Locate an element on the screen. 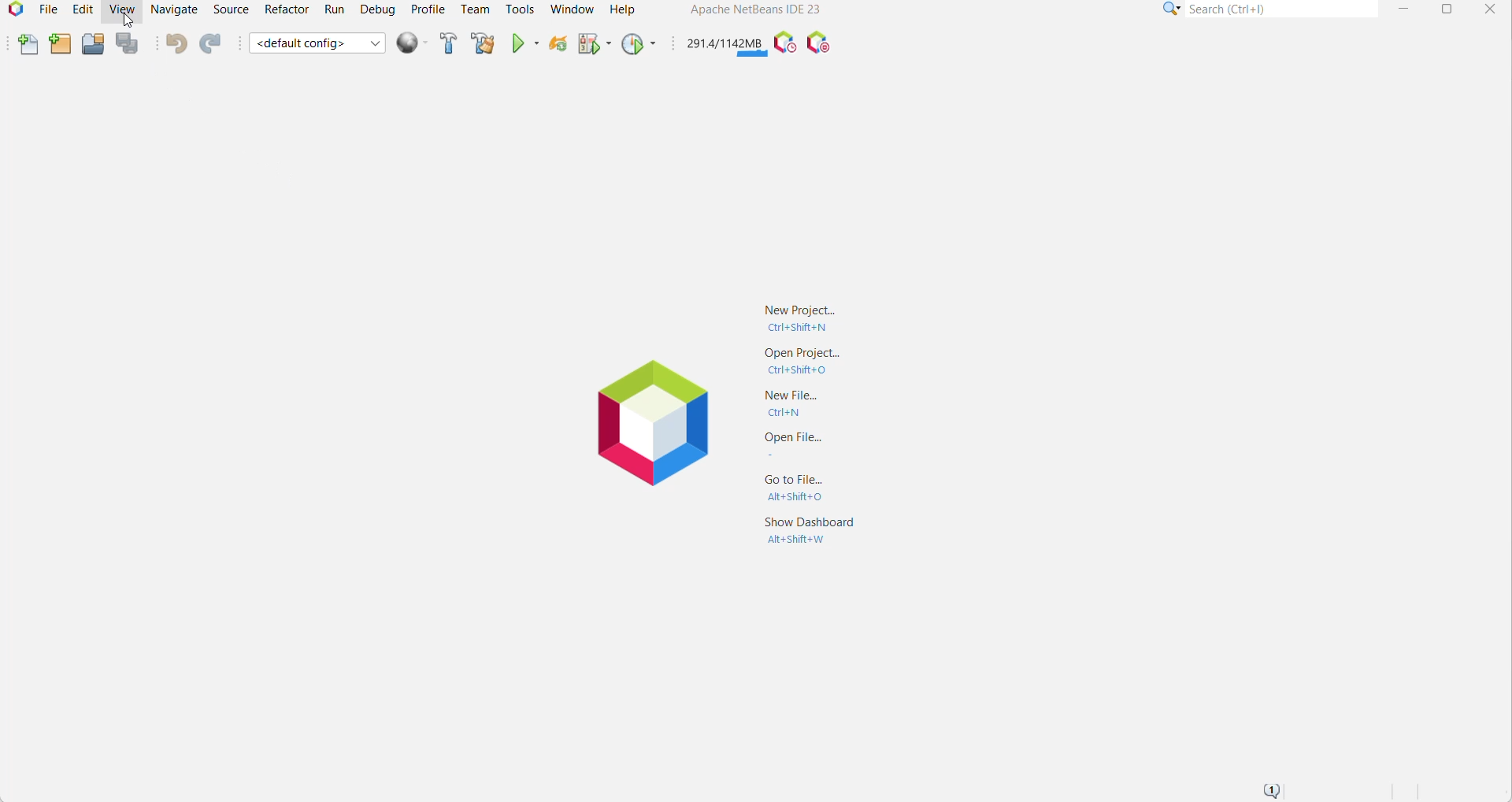 This screenshot has height=802, width=1512. Undo is located at coordinates (175, 43).